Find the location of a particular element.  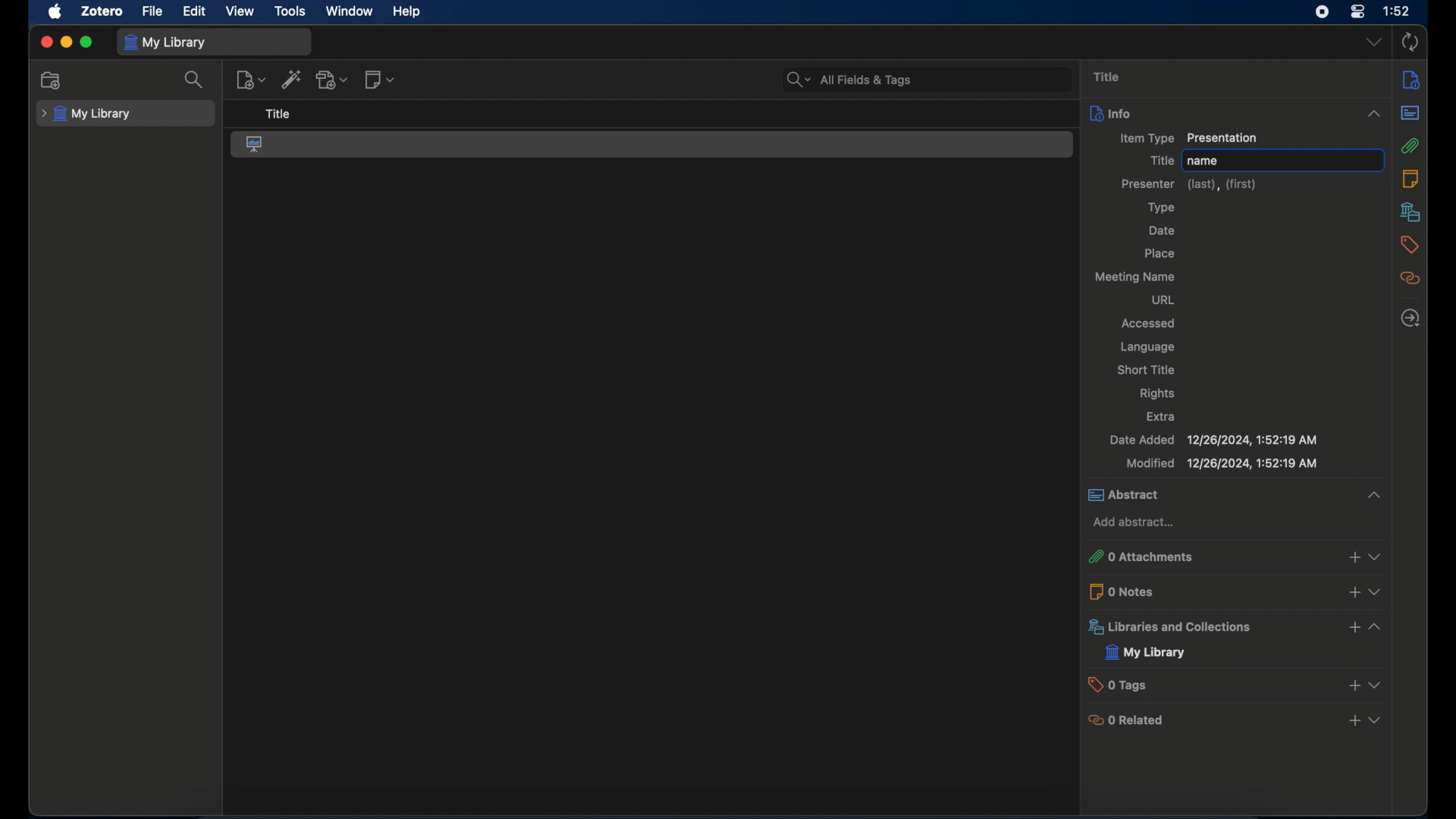

All Fields & Tags is located at coordinates (920, 78).